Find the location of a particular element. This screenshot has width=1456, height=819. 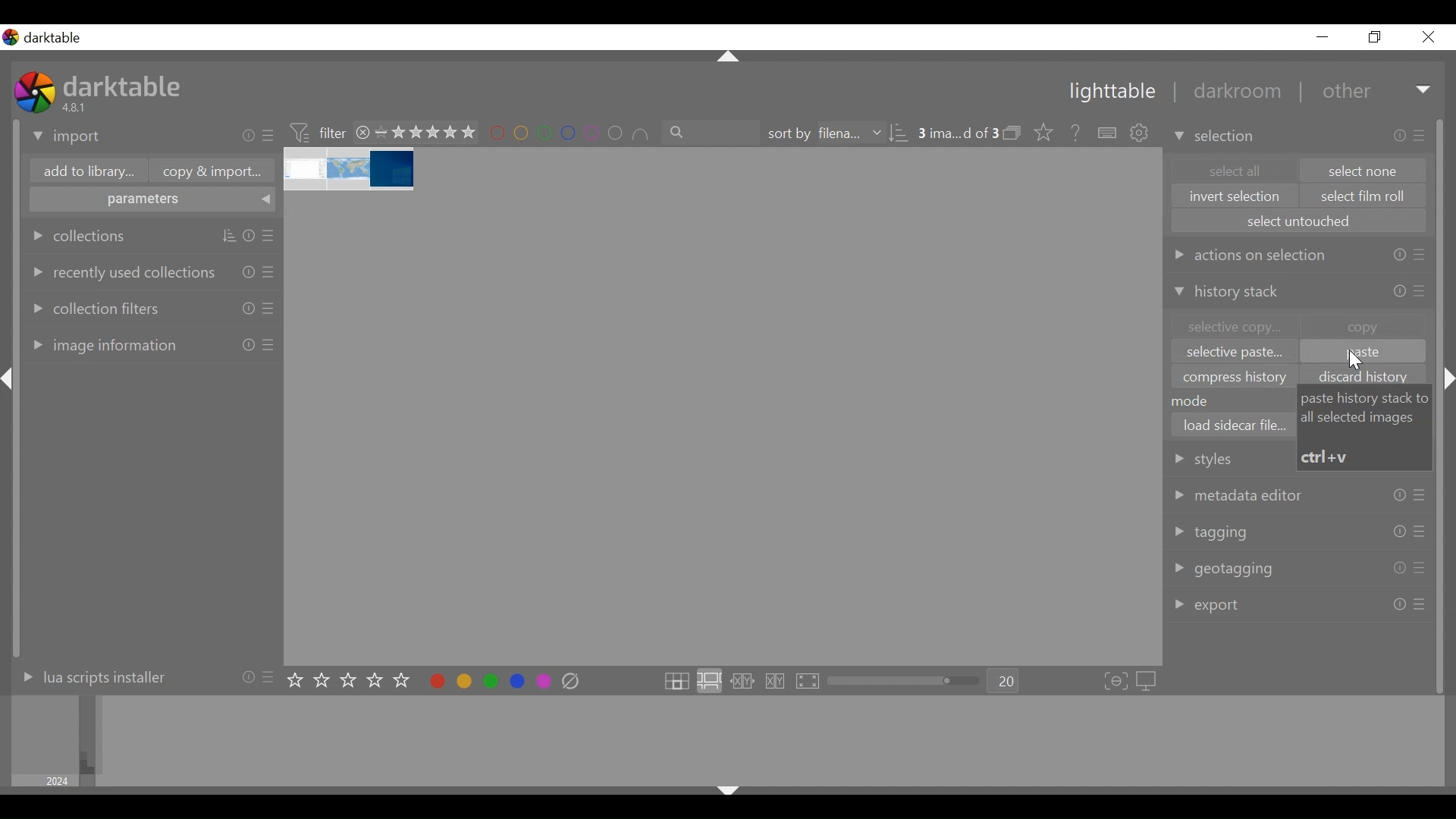

select film roll is located at coordinates (1364, 197).